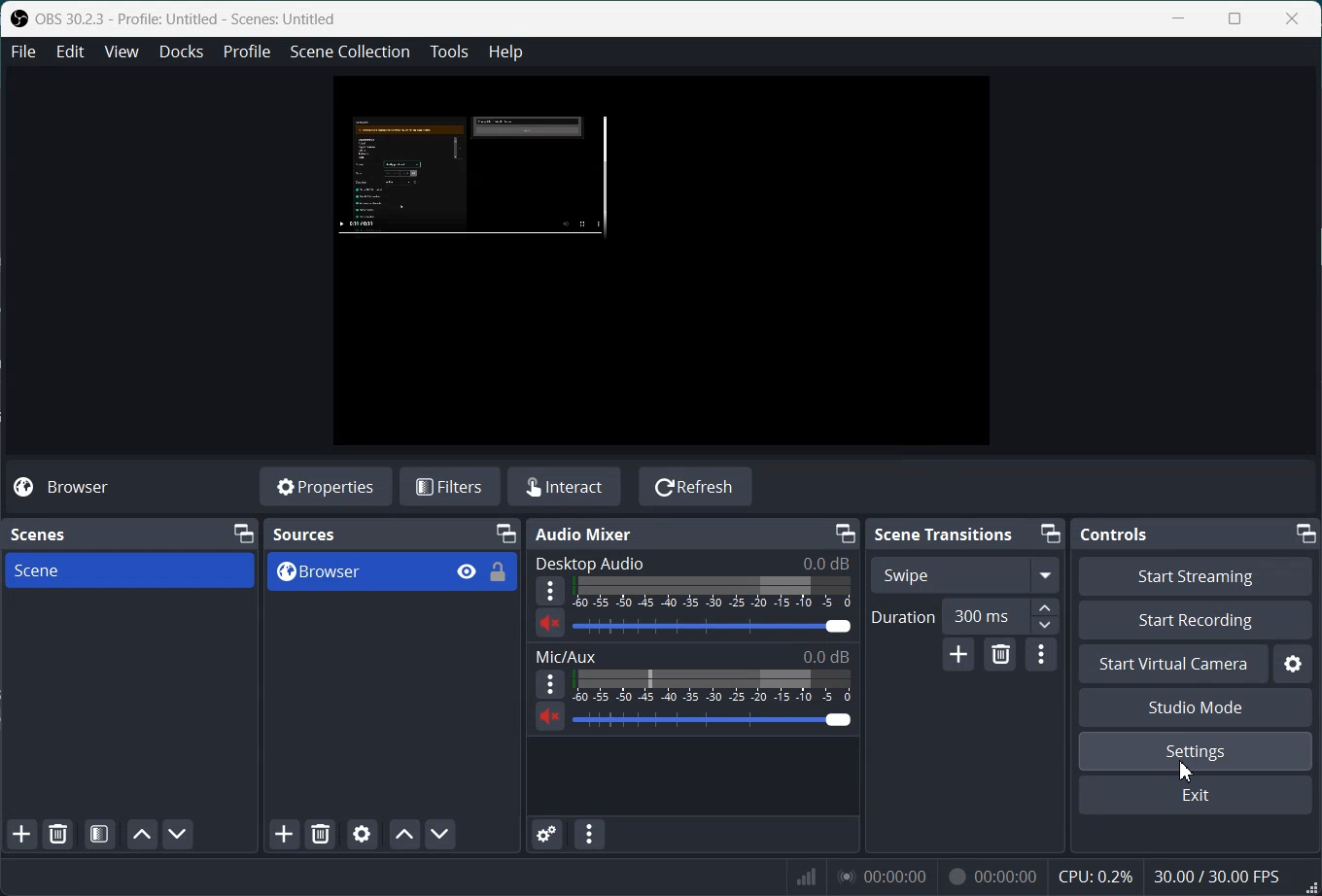 The image size is (1322, 896). I want to click on Remove Selected Sources, so click(321, 833).